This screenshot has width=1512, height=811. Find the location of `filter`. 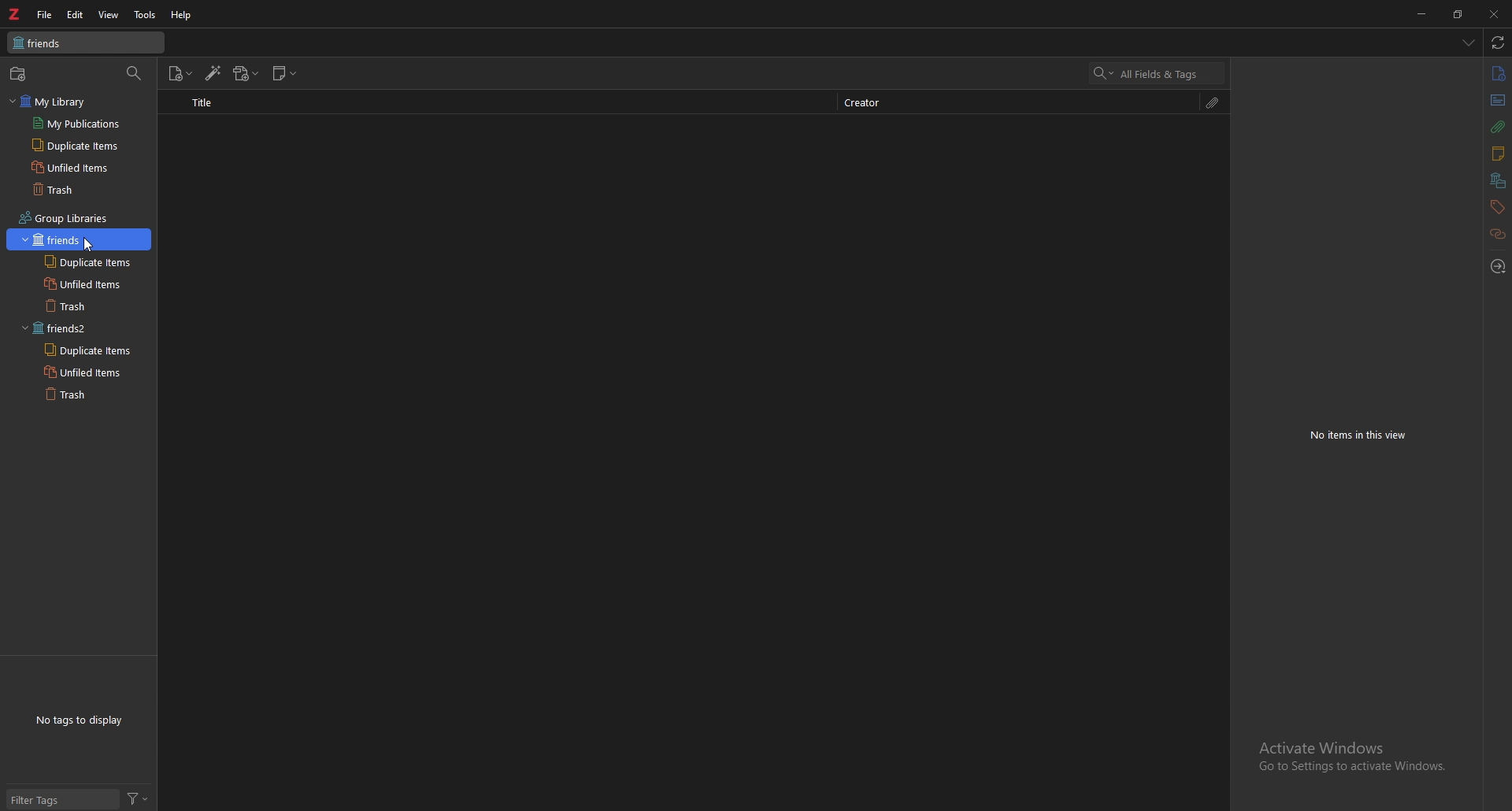

filter is located at coordinates (137, 798).